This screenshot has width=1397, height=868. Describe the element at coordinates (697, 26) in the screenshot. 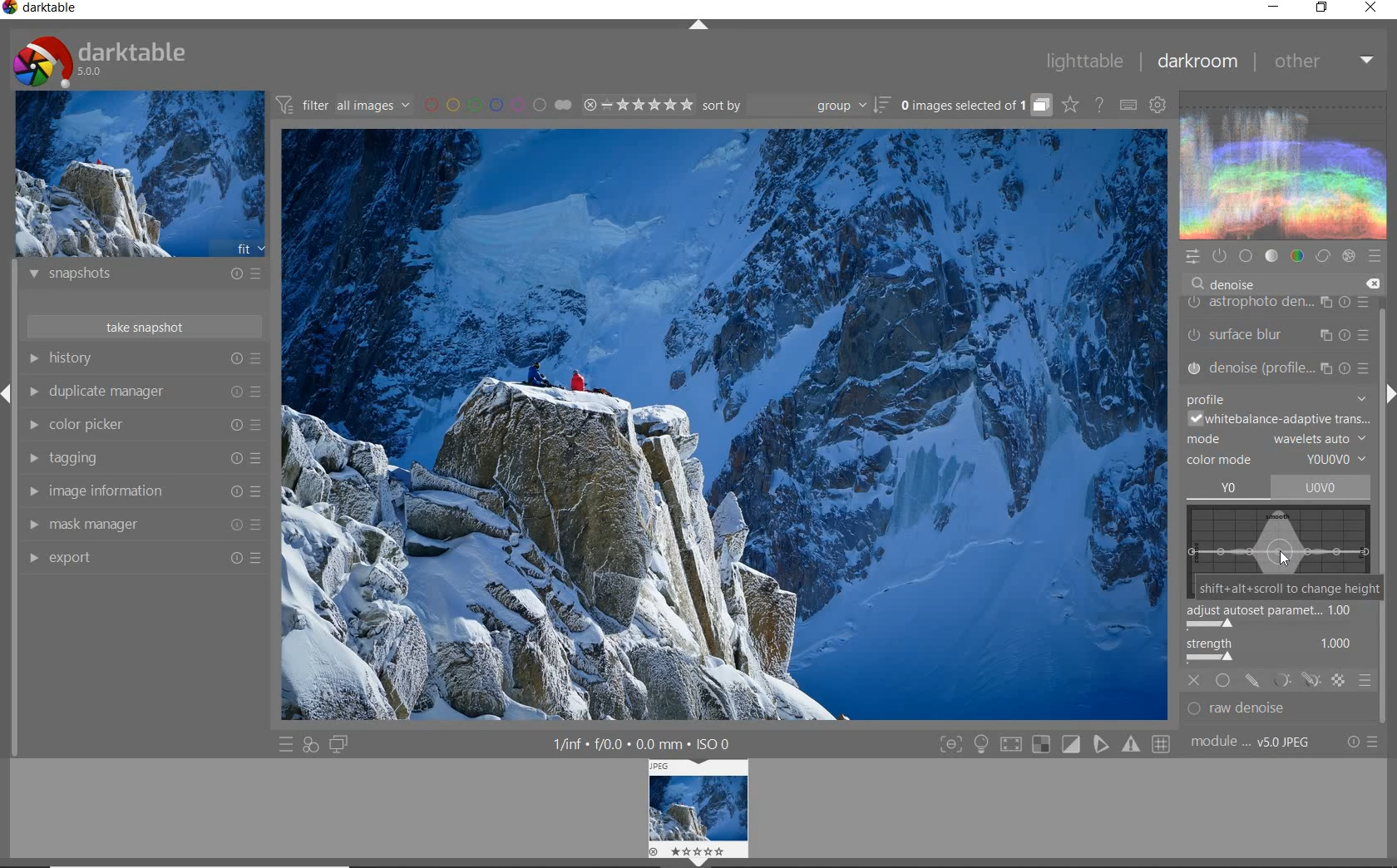

I see `expand/collapse` at that location.